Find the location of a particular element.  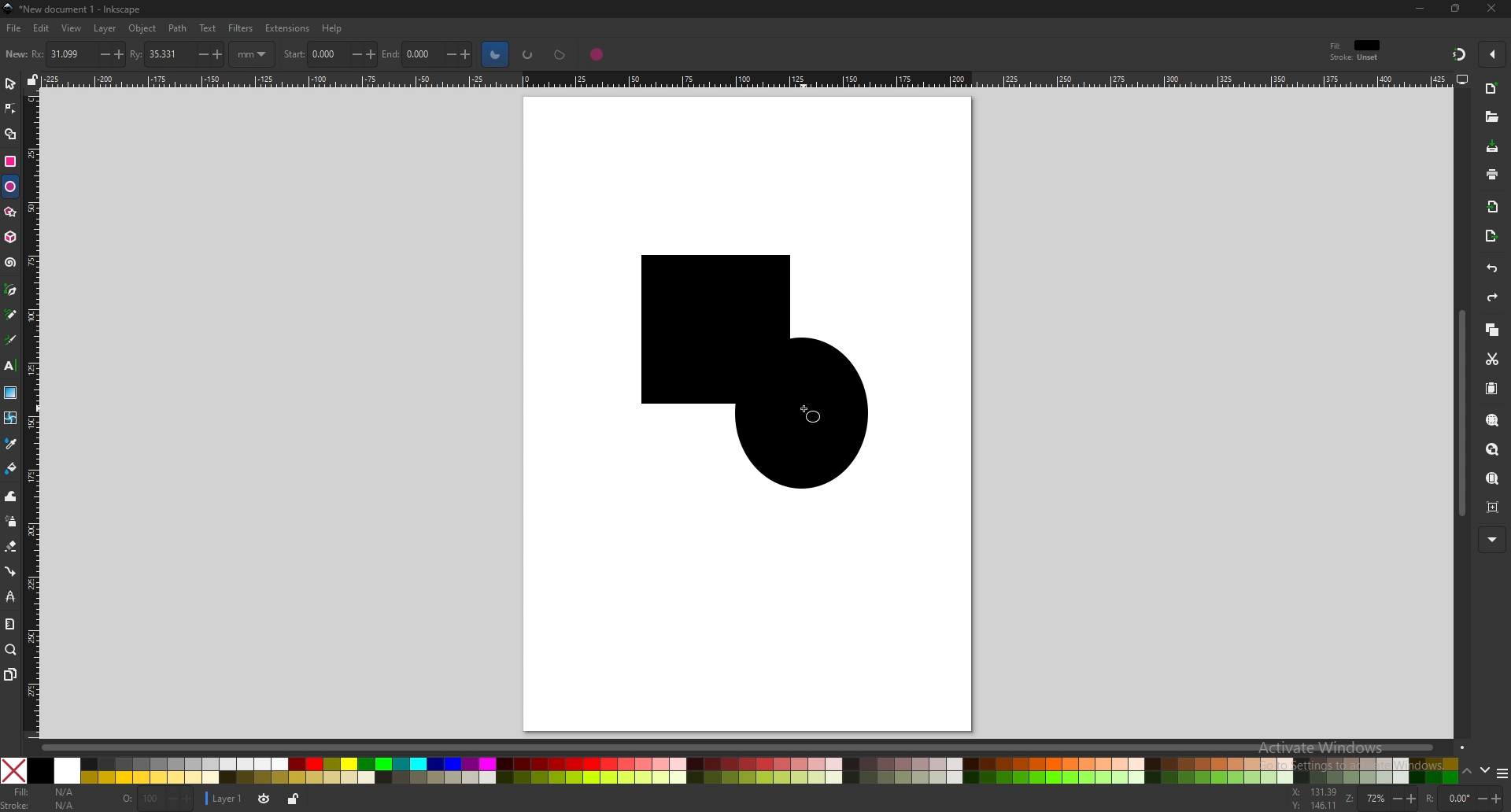

connector is located at coordinates (12, 570).